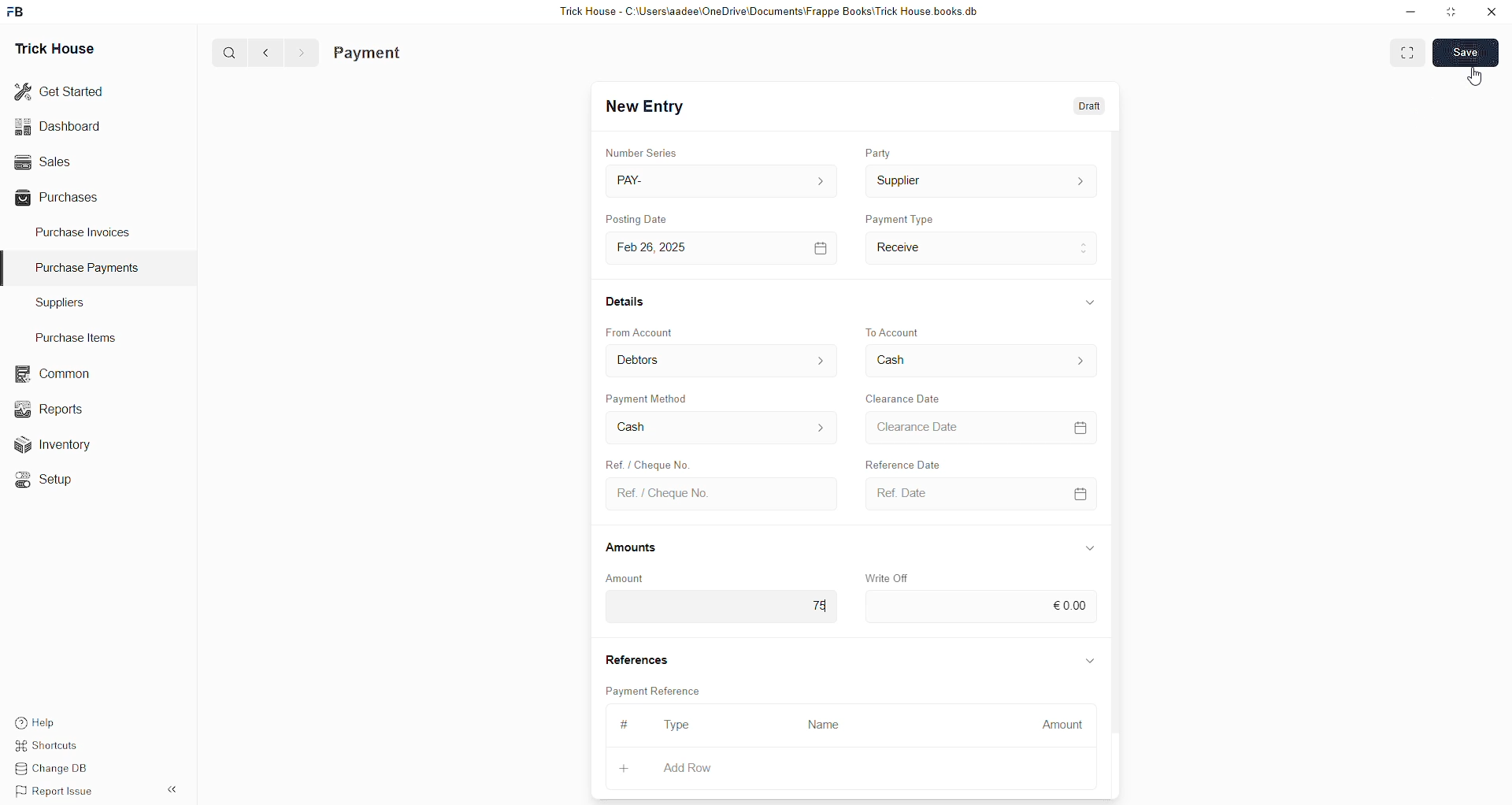 The height and width of the screenshot is (805, 1512). I want to click on expand, so click(1087, 301).